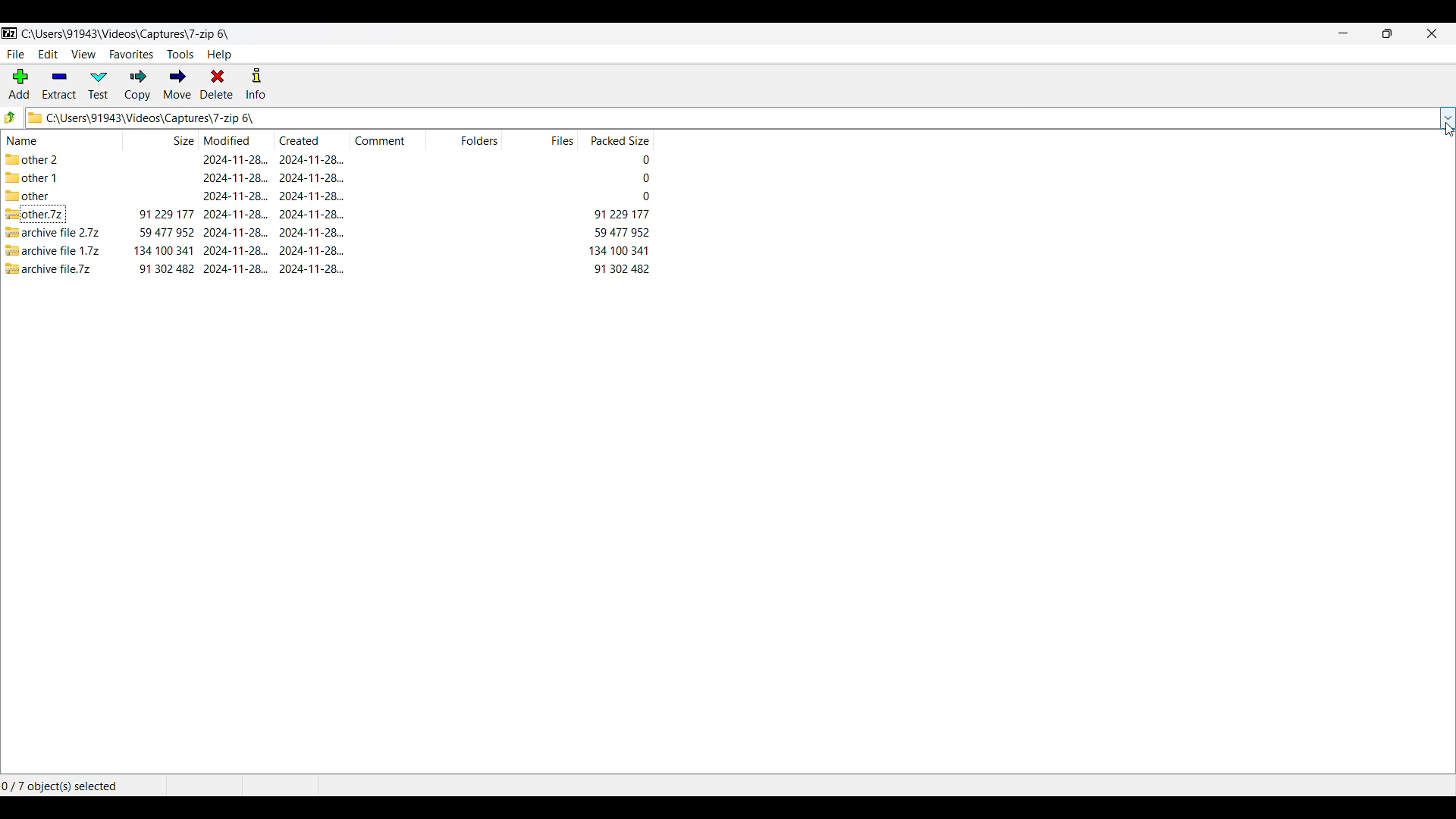 Image resolution: width=1456 pixels, height=819 pixels. What do you see at coordinates (1447, 119) in the screenshot?
I see `List all locations` at bounding box center [1447, 119].